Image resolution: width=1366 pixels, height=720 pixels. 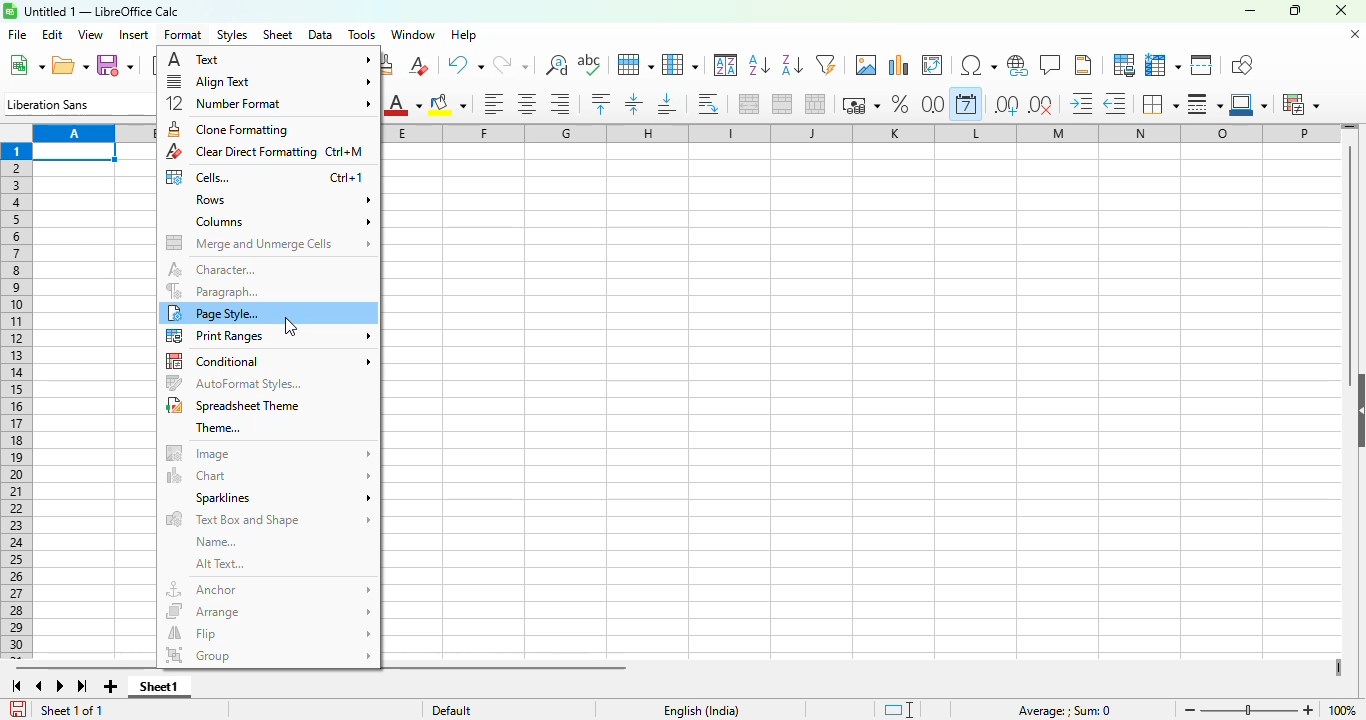 I want to click on conditional, so click(x=270, y=361).